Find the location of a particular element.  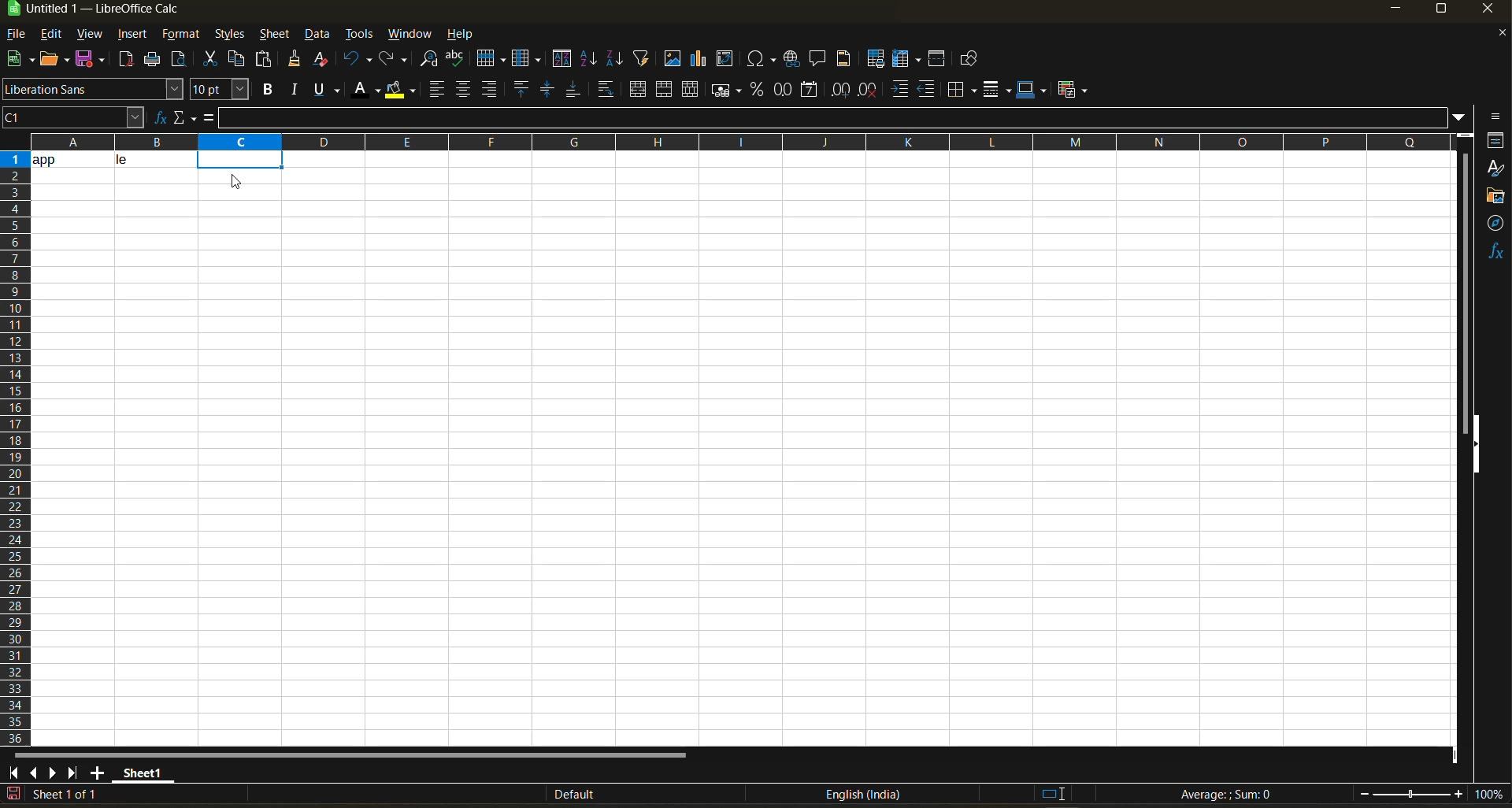

wrap text is located at coordinates (605, 91).